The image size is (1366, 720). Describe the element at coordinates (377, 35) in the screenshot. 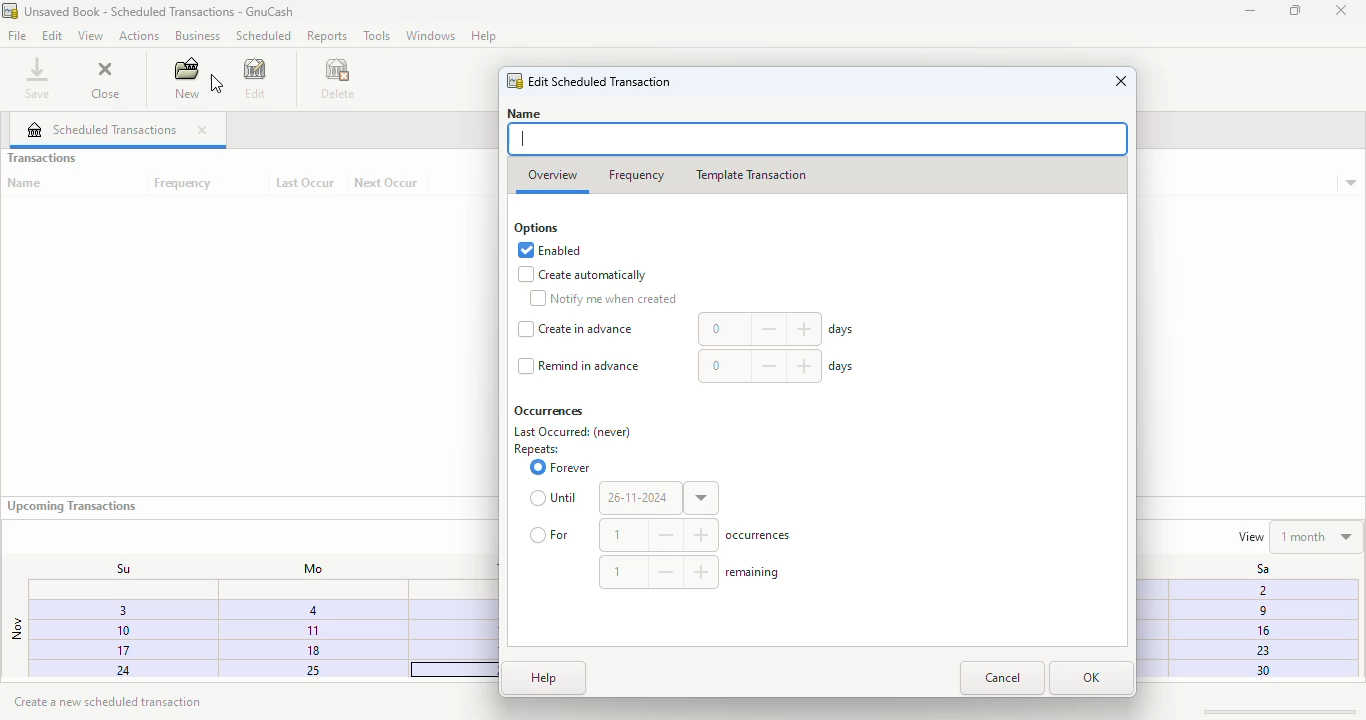

I see `tools` at that location.